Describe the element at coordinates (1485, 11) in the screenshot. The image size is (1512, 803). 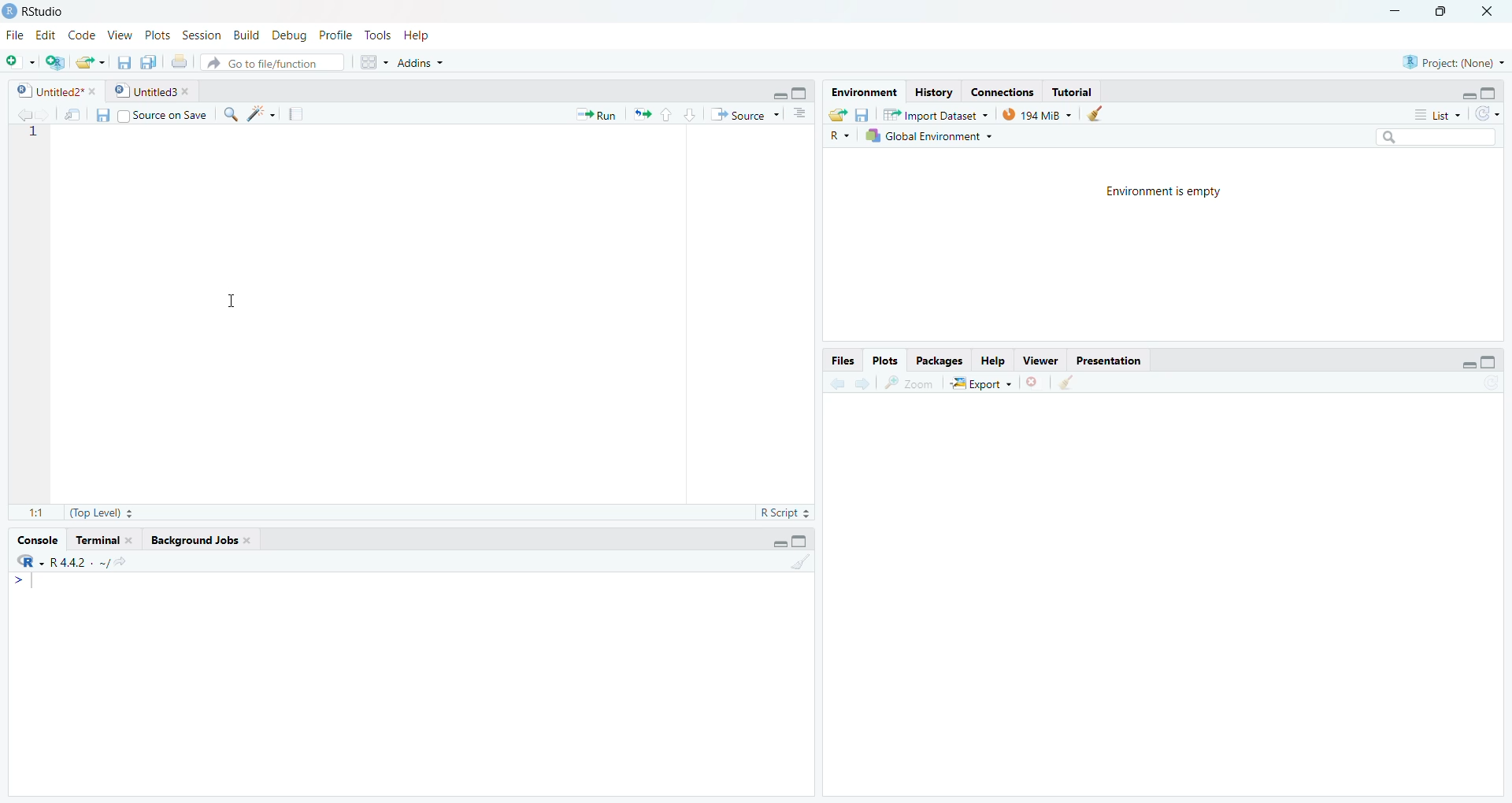
I see `Close` at that location.